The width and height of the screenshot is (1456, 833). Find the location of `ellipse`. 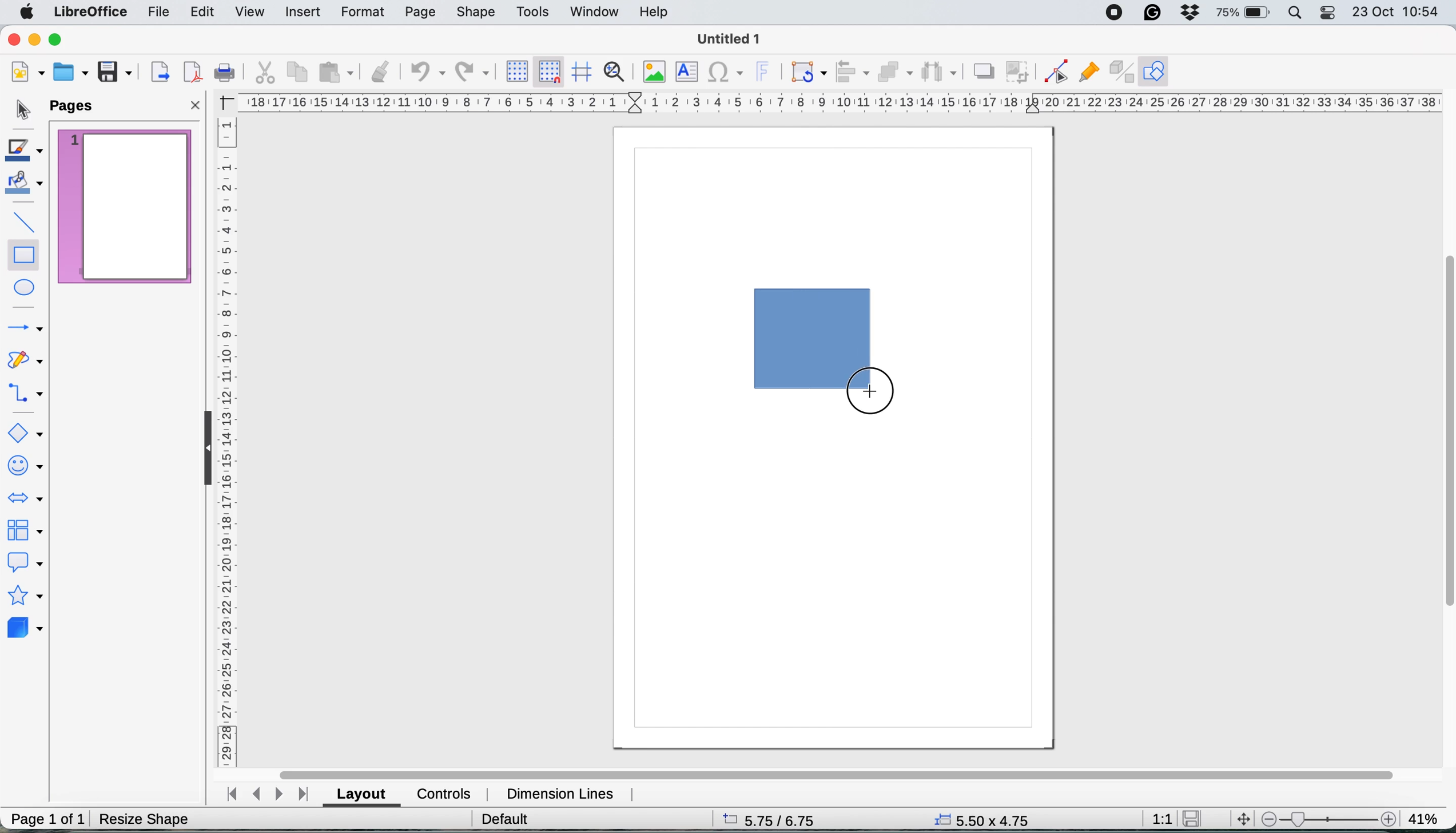

ellipse is located at coordinates (27, 286).